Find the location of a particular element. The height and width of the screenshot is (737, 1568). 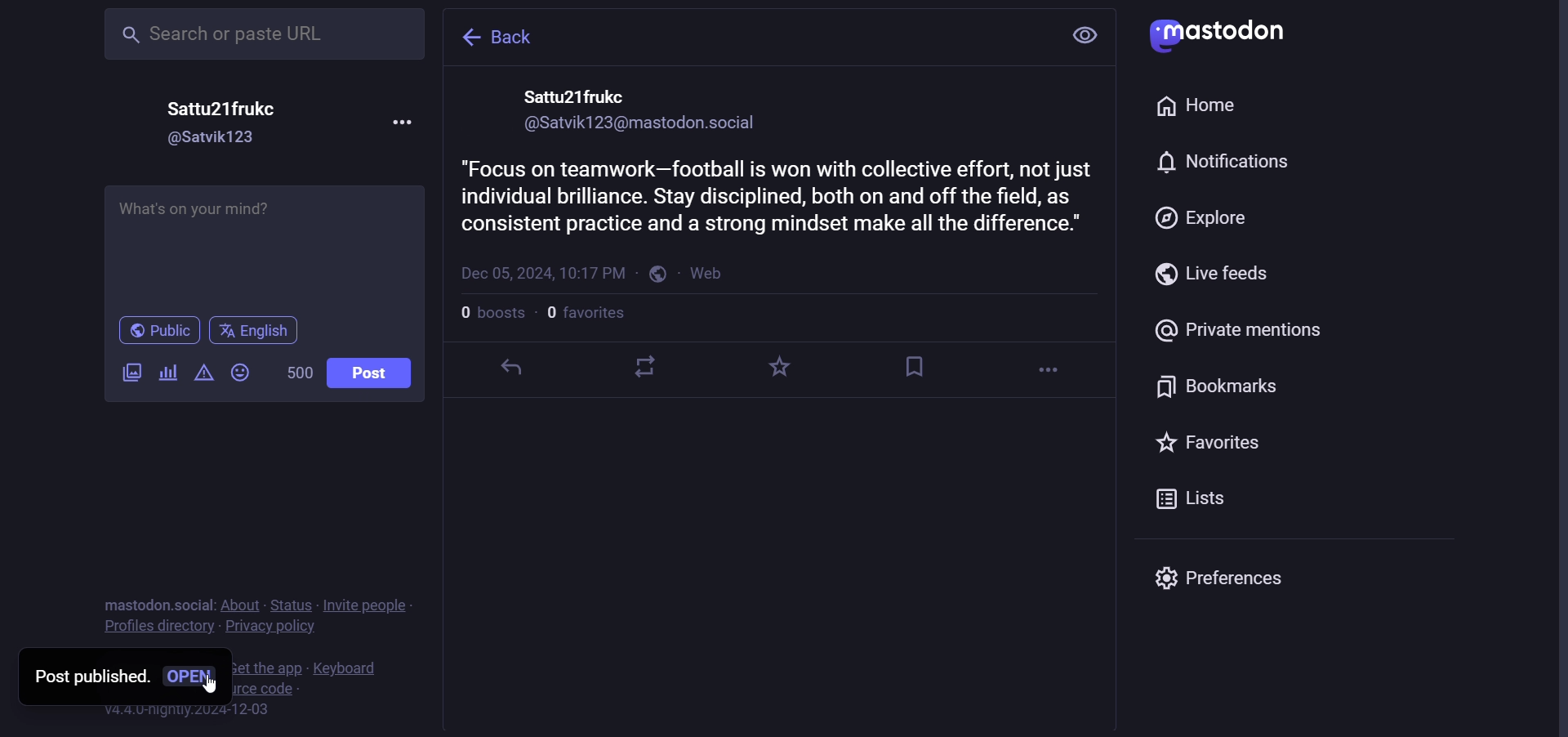

private mention is located at coordinates (1233, 328).